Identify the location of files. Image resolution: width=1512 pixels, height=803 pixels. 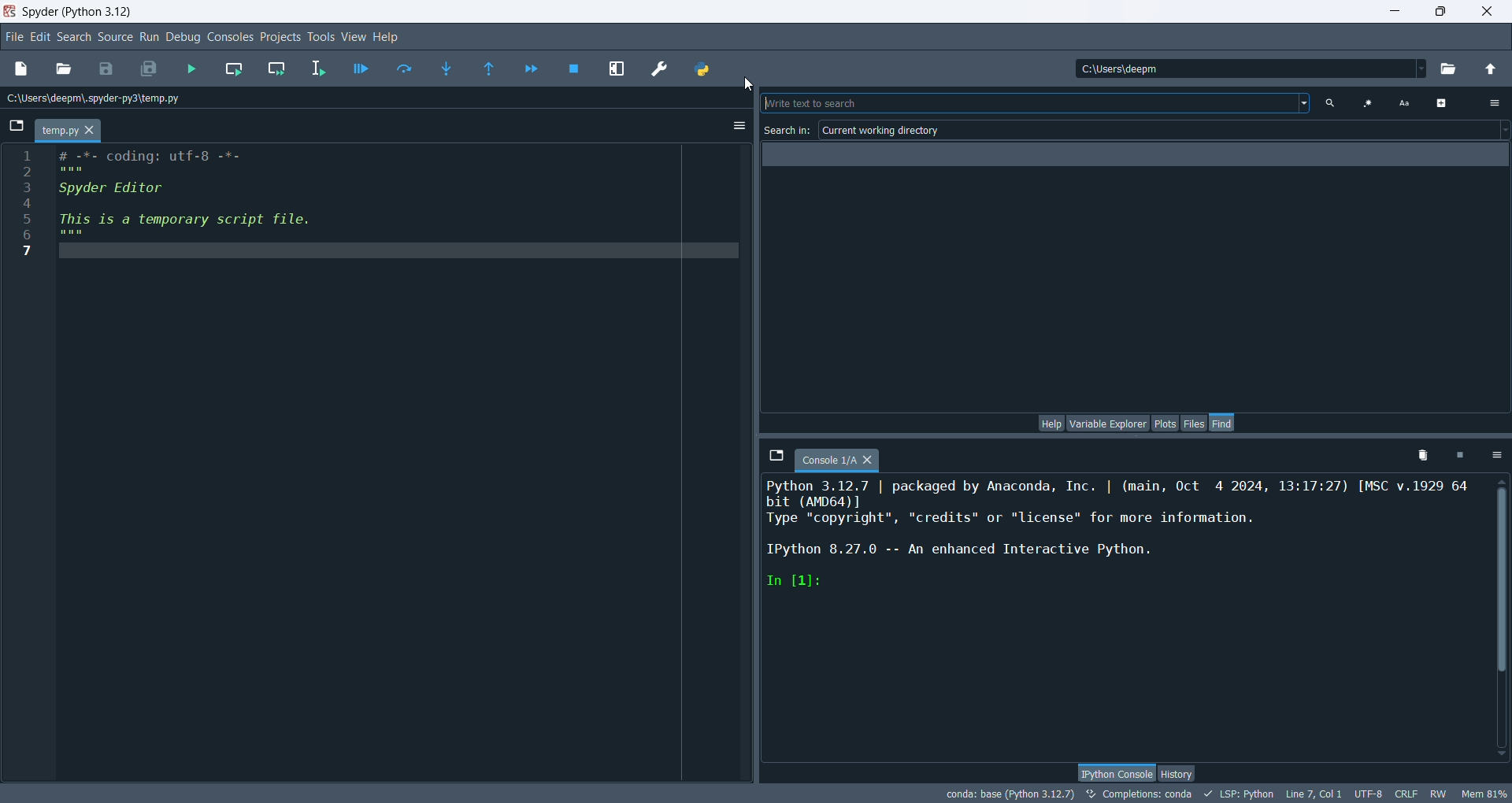
(1192, 423).